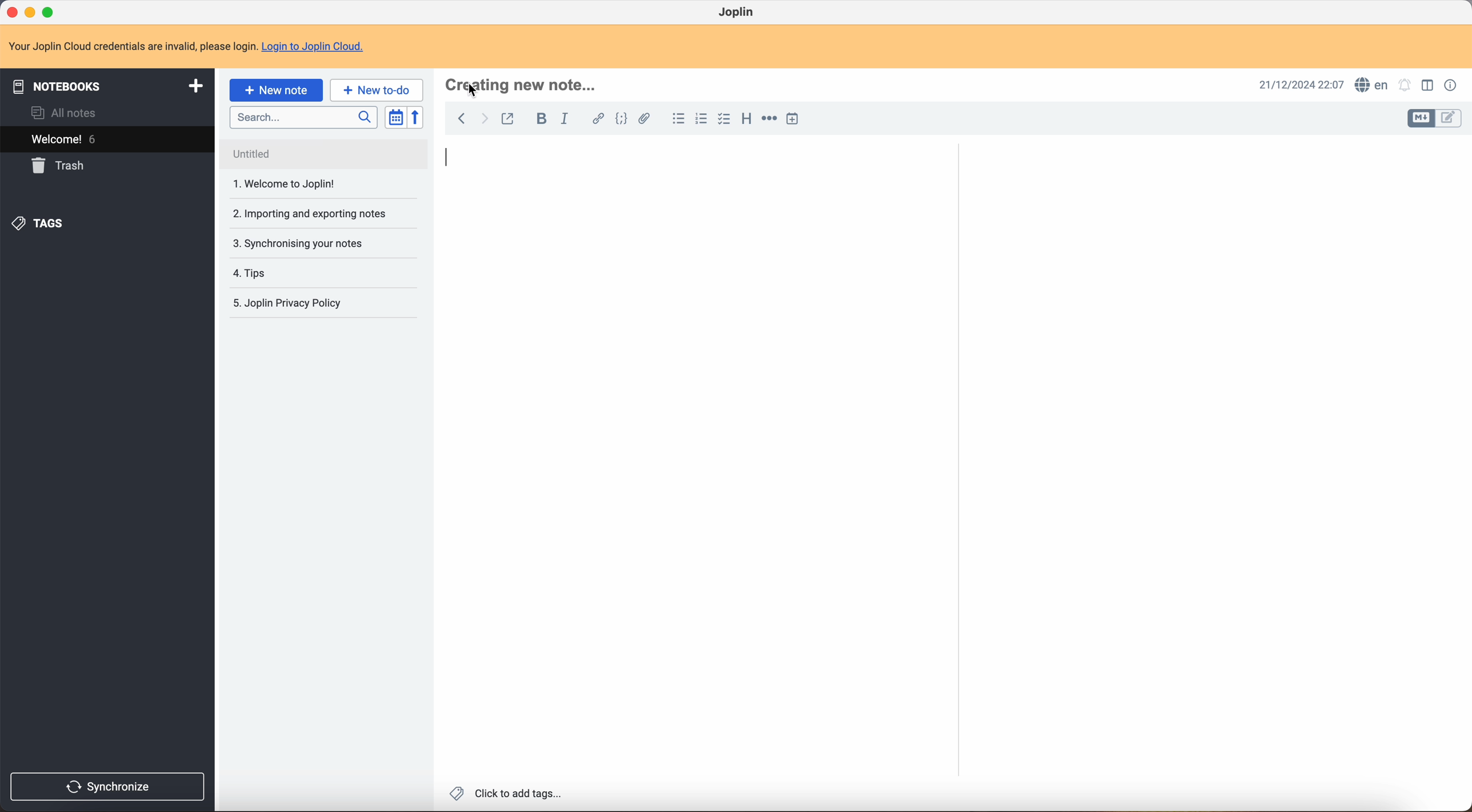 This screenshot has width=1472, height=812. Describe the element at coordinates (792, 118) in the screenshot. I see `insert time` at that location.